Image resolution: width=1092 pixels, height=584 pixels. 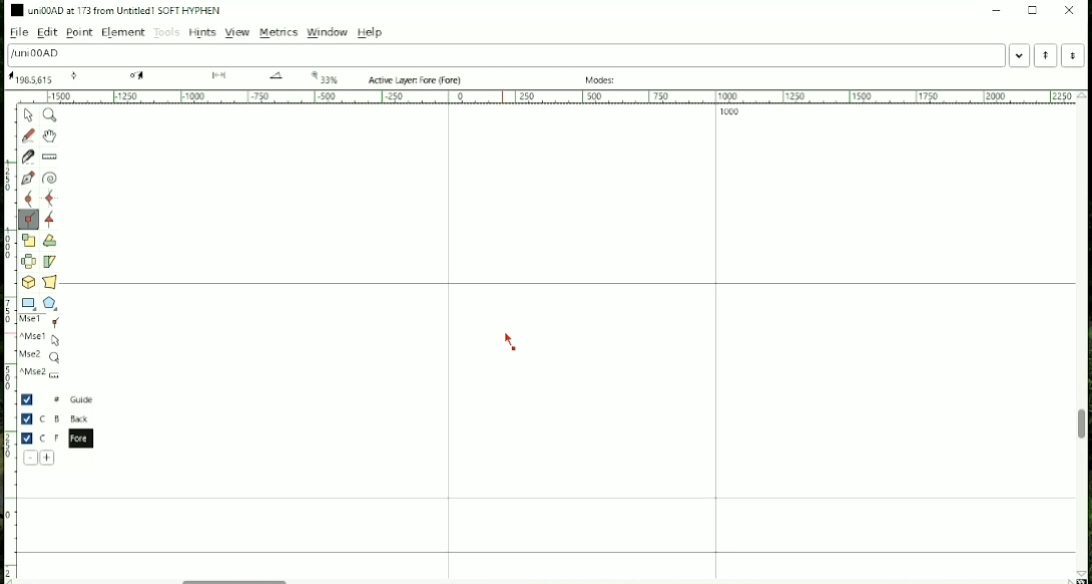 I want to click on Cut splines in two, so click(x=28, y=157).